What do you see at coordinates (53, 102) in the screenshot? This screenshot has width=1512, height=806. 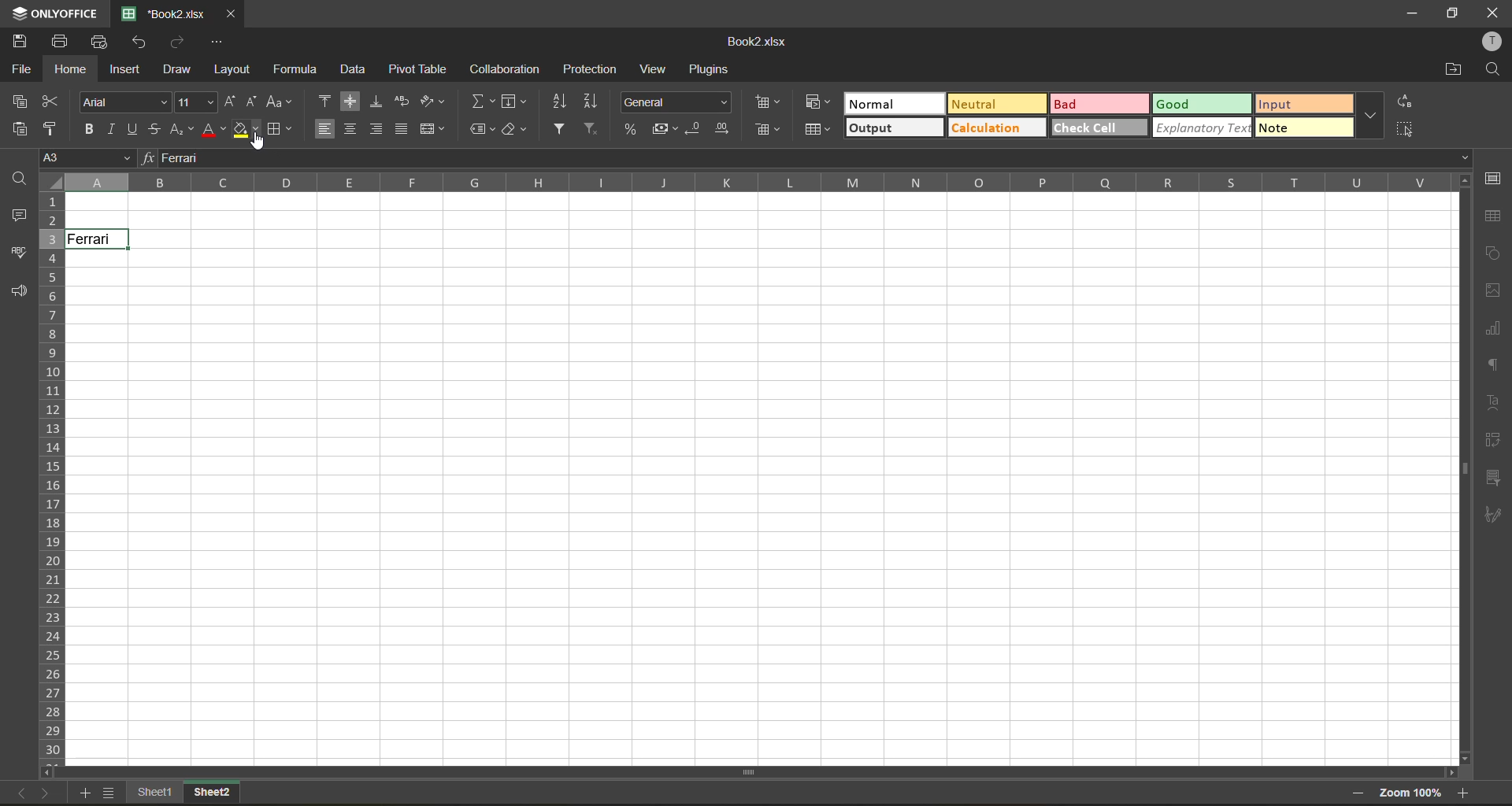 I see `cut` at bounding box center [53, 102].